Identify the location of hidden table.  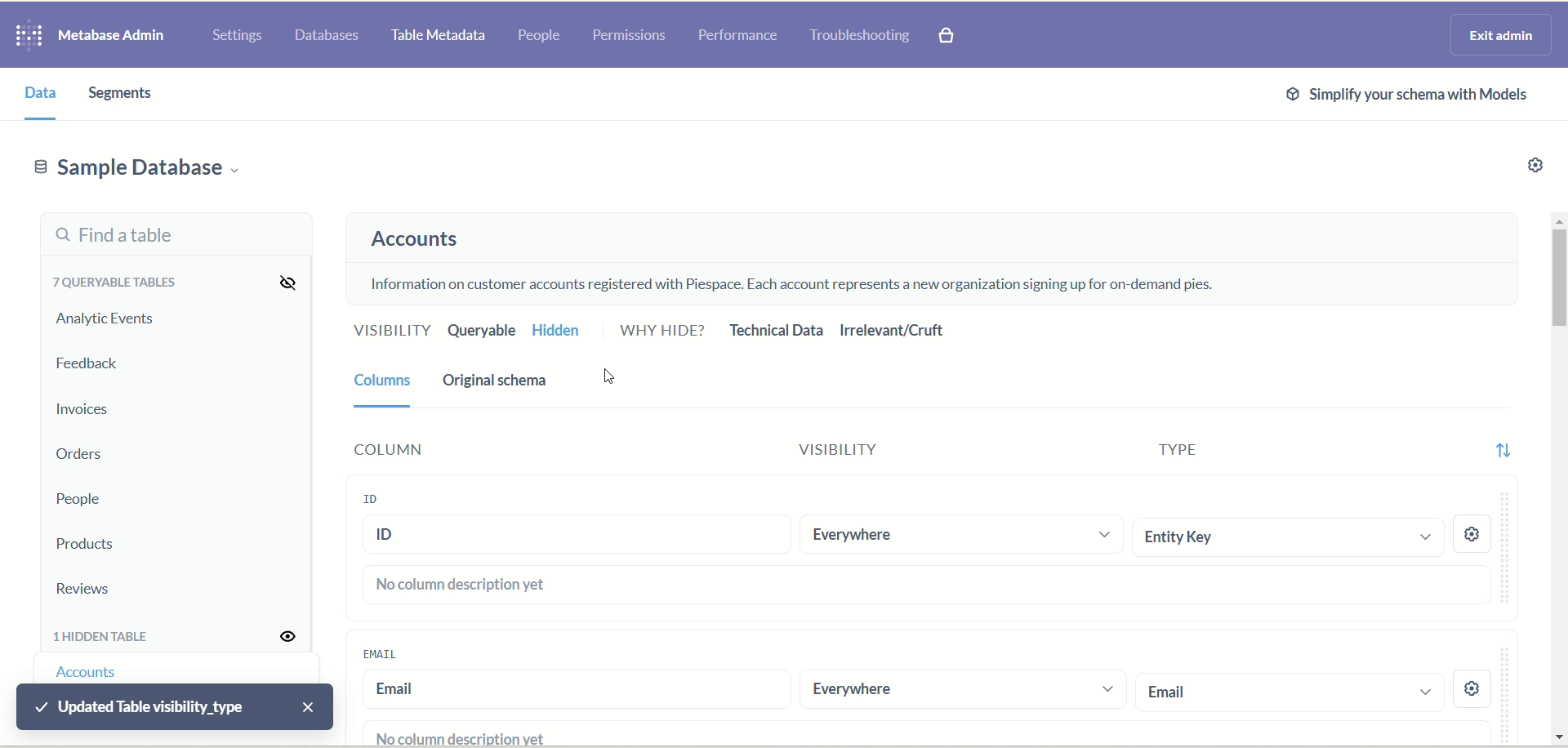
(112, 638).